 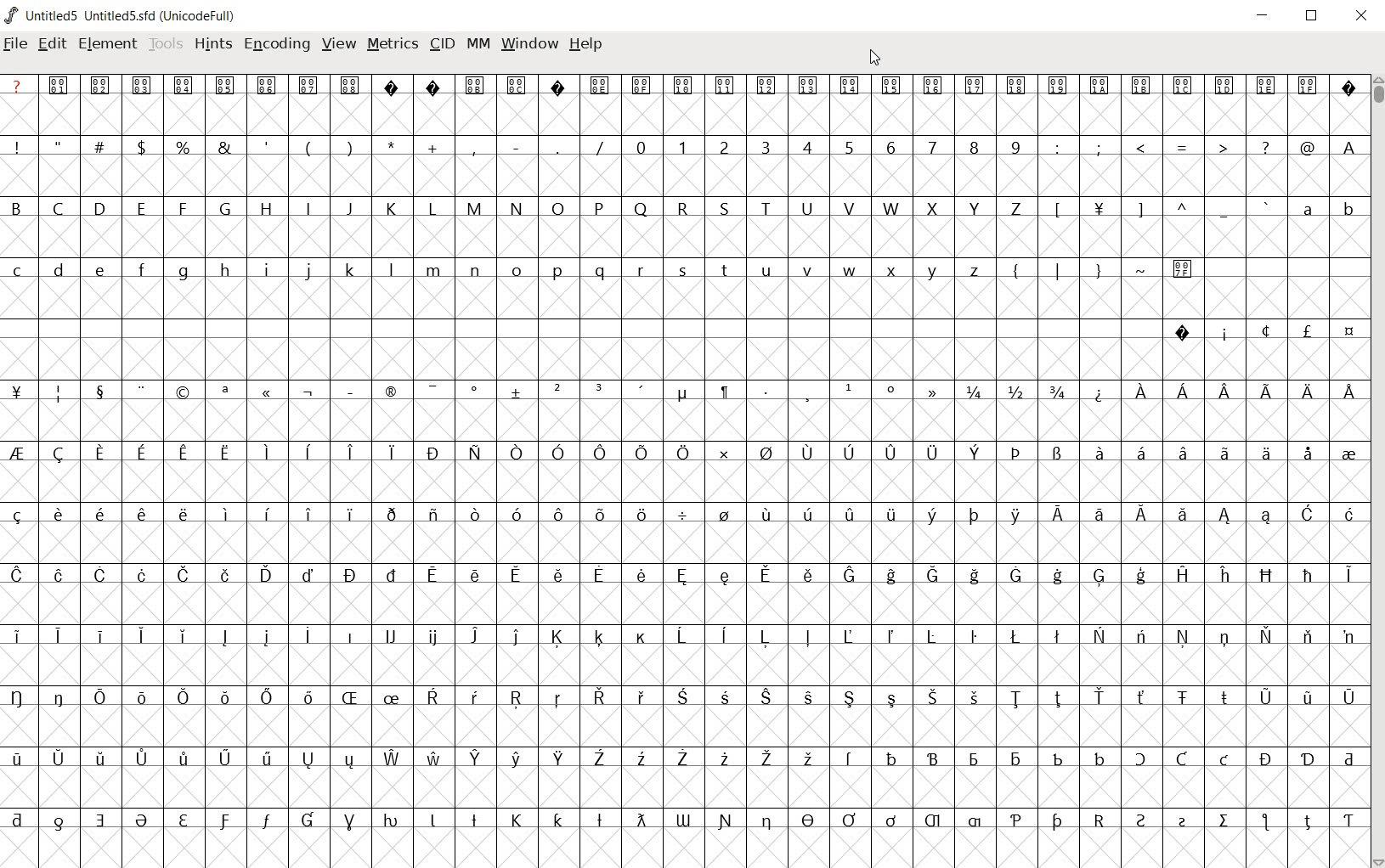 I want to click on B, so click(x=22, y=206).